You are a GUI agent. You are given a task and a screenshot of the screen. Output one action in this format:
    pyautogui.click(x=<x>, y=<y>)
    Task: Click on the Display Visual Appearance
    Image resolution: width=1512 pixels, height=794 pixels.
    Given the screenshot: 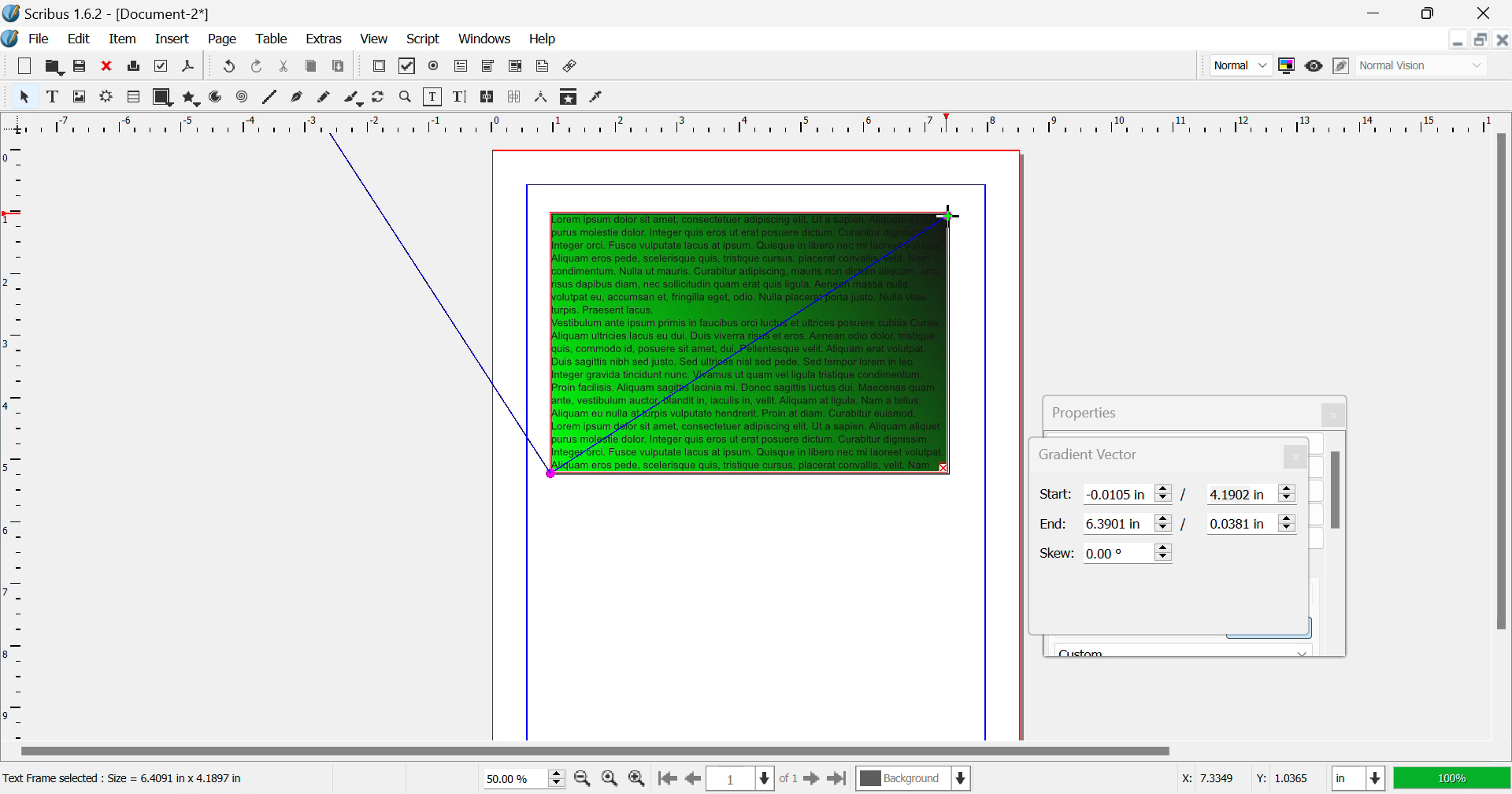 What is the action you would take?
    pyautogui.click(x=1424, y=65)
    